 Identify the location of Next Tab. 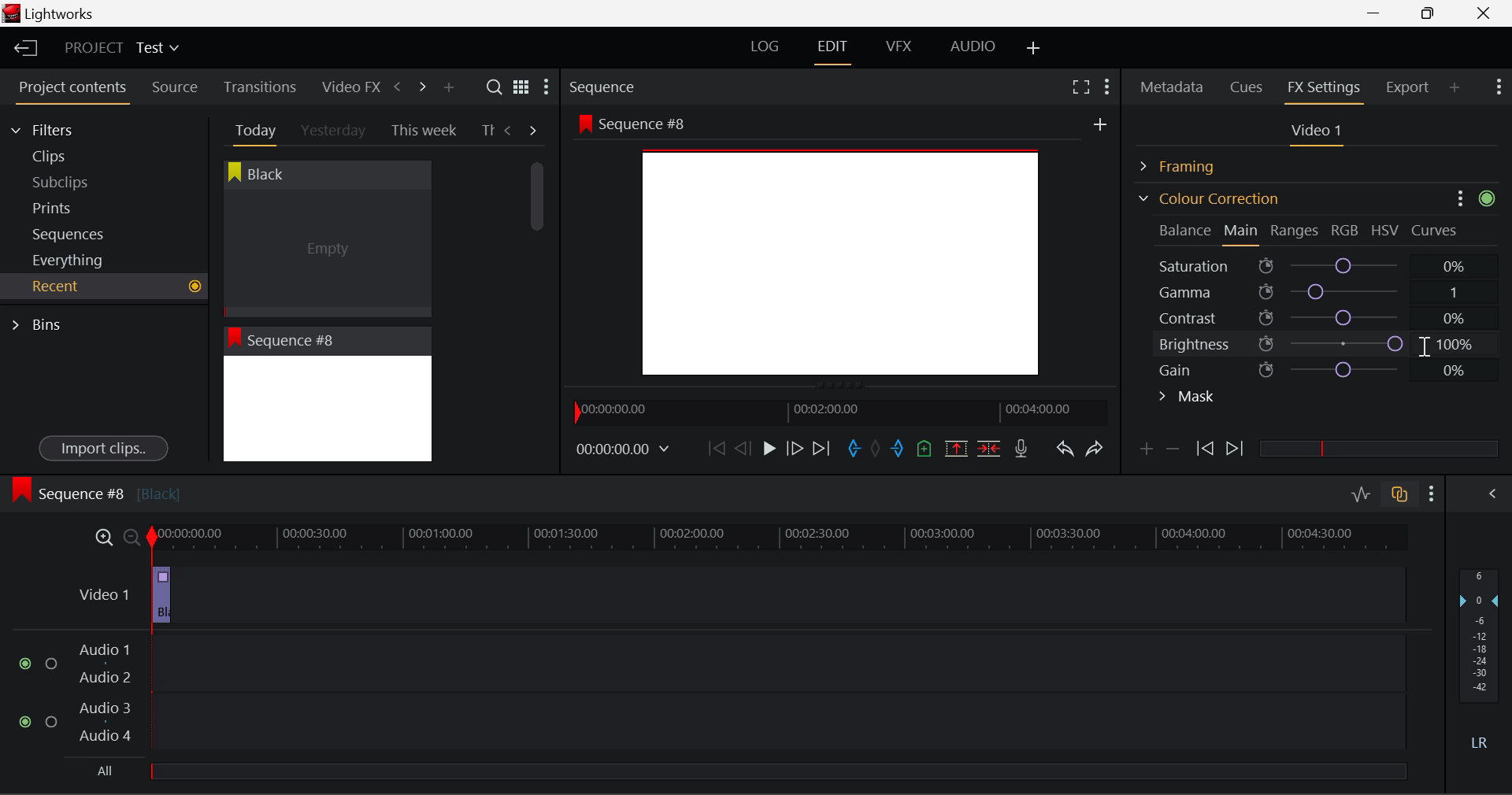
(534, 129).